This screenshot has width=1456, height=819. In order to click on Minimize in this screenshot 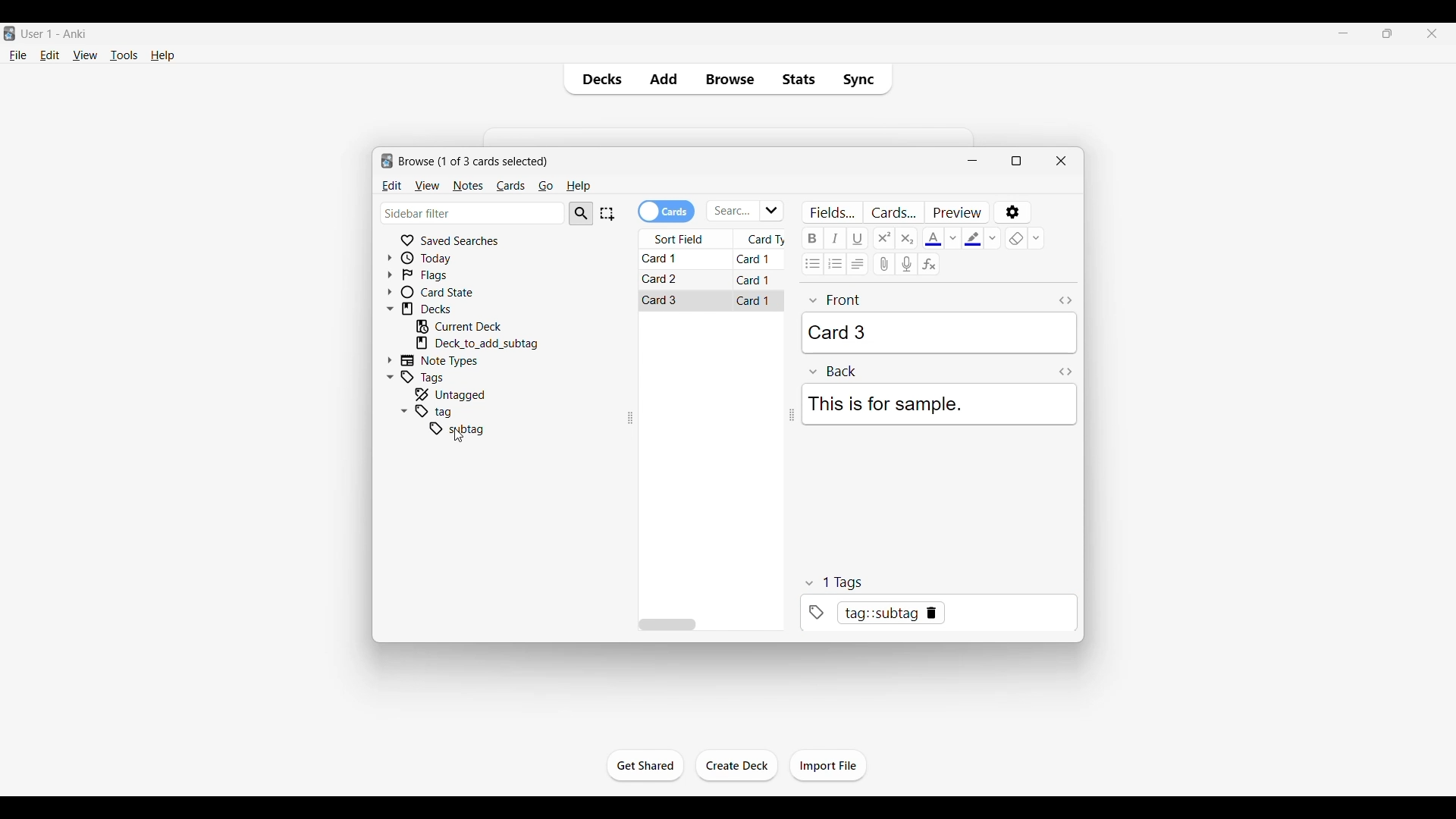, I will do `click(972, 161)`.